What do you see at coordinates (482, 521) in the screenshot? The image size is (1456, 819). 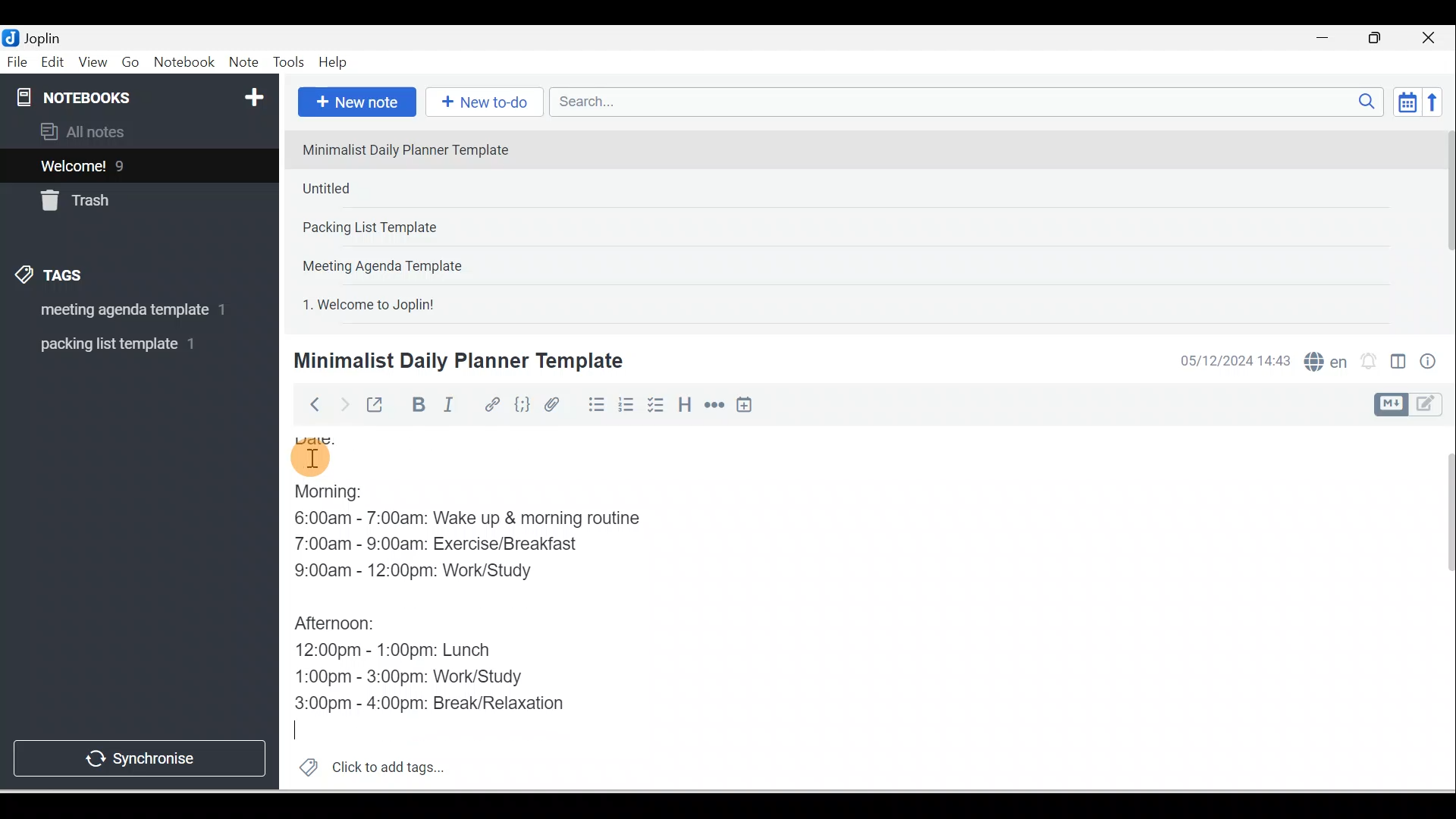 I see `6:00am - 7:00am: Wake up & morning routine` at bounding box center [482, 521].